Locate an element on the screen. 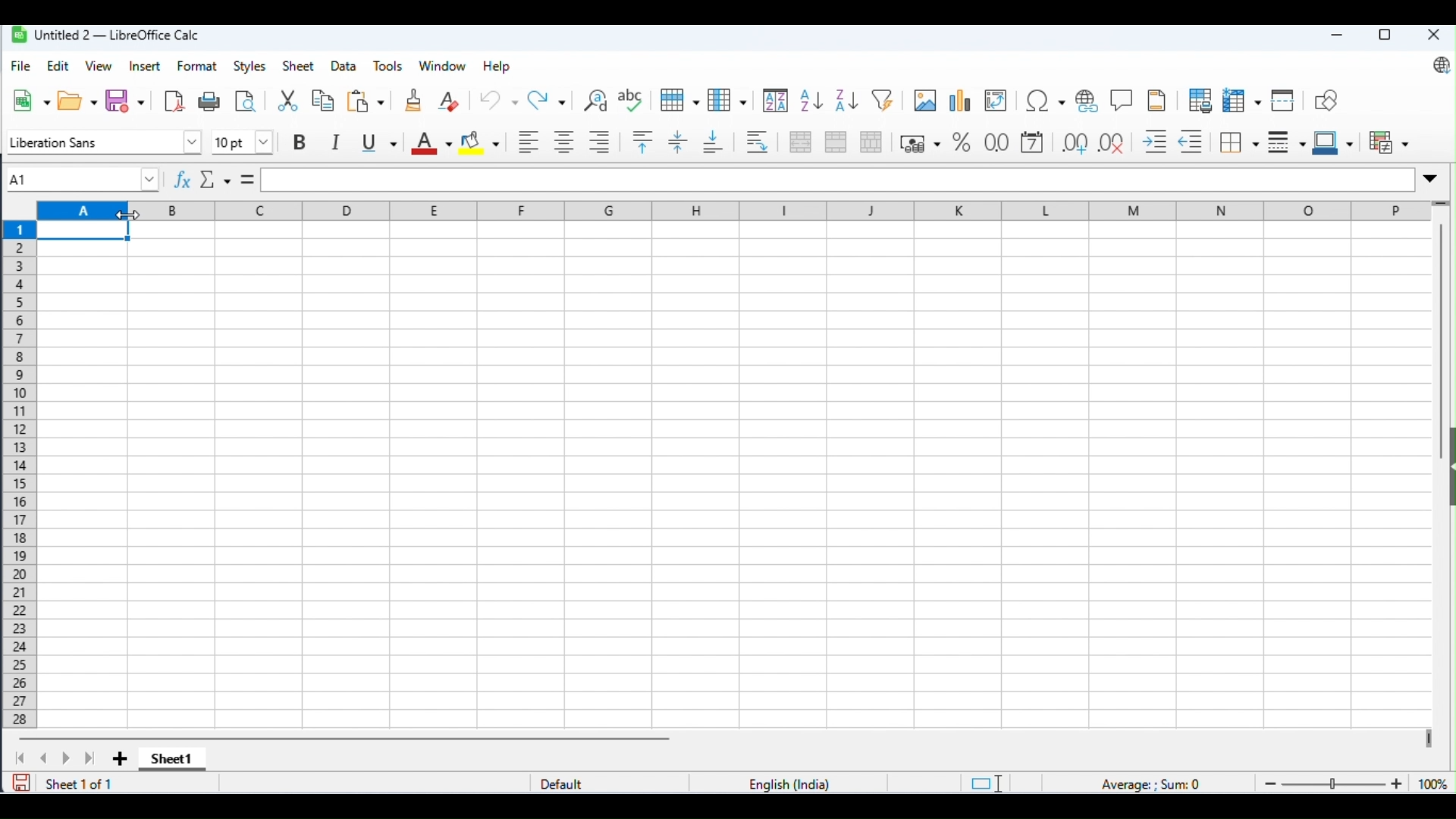  format as percent is located at coordinates (961, 142).